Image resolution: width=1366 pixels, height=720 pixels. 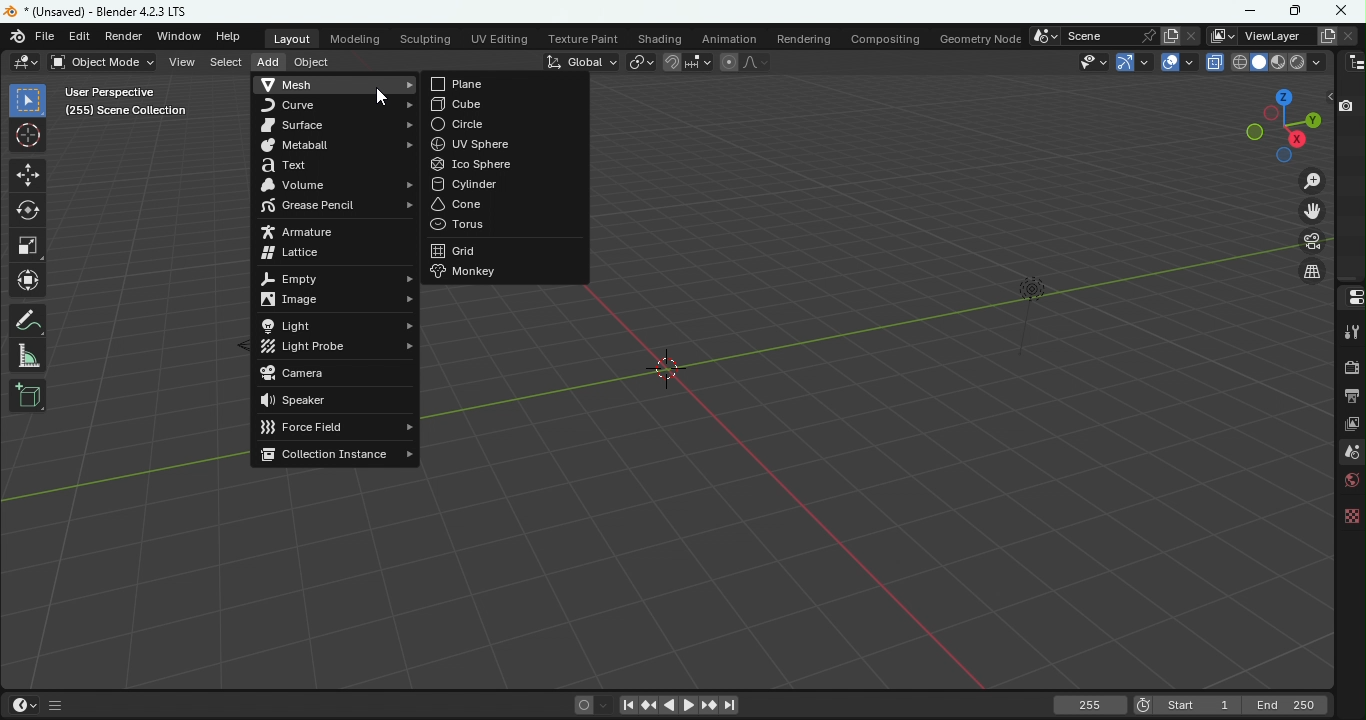 I want to click on View, so click(x=183, y=63).